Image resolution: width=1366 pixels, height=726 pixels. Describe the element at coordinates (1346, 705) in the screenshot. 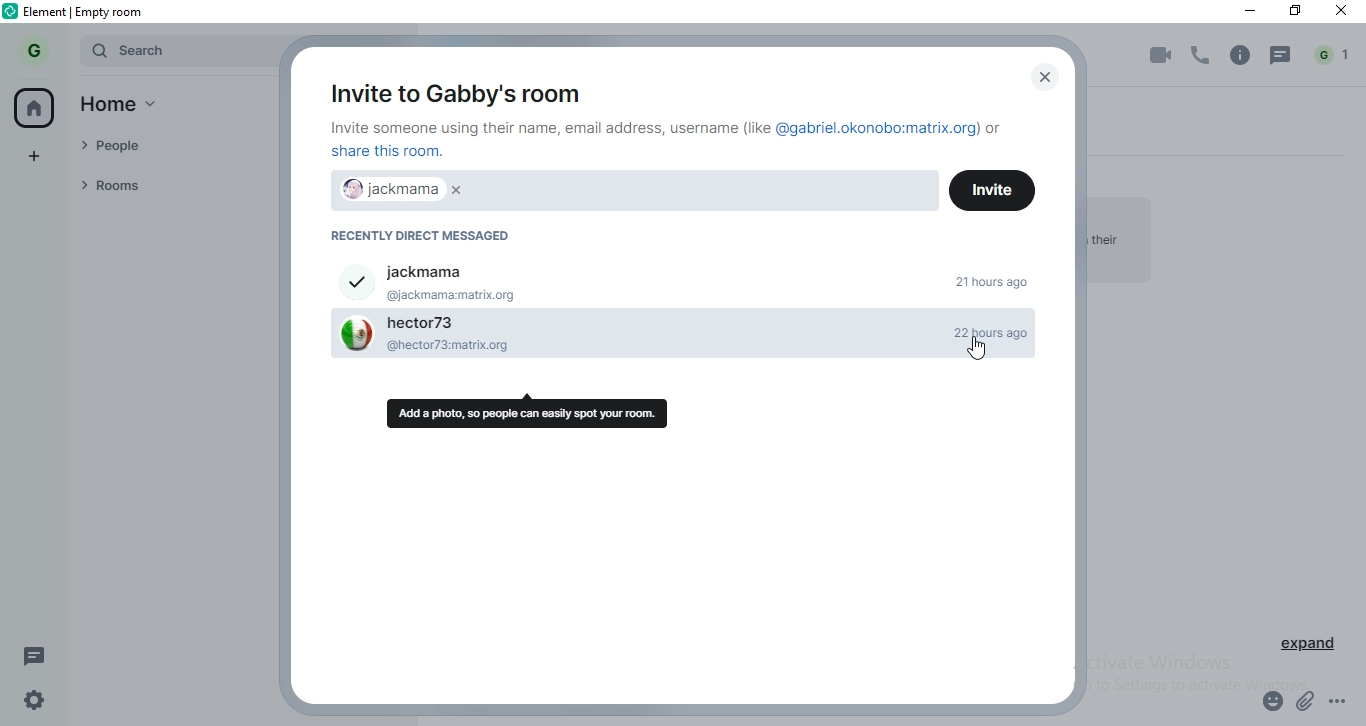

I see `options` at that location.